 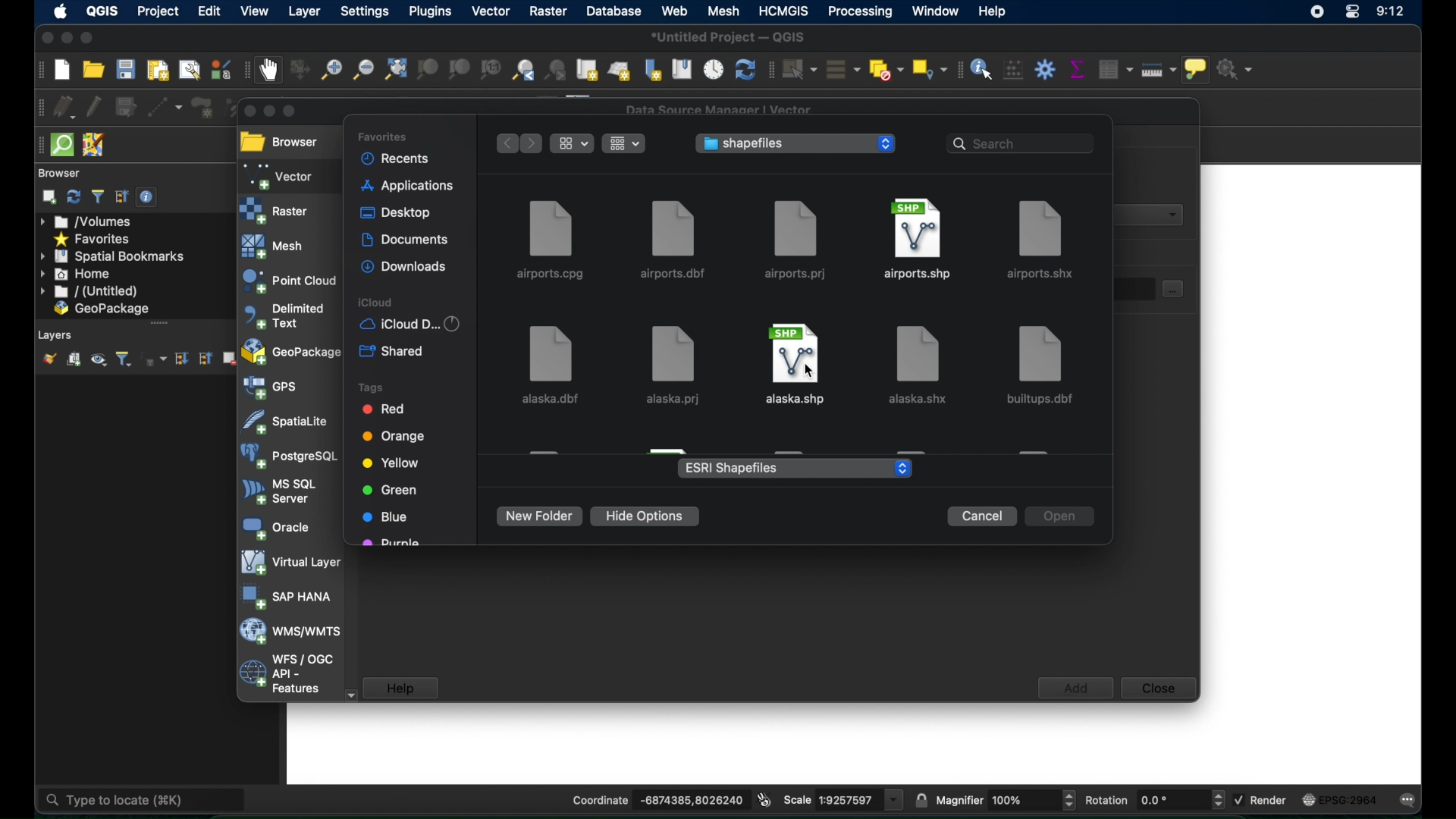 What do you see at coordinates (981, 69) in the screenshot?
I see `identify feature` at bounding box center [981, 69].